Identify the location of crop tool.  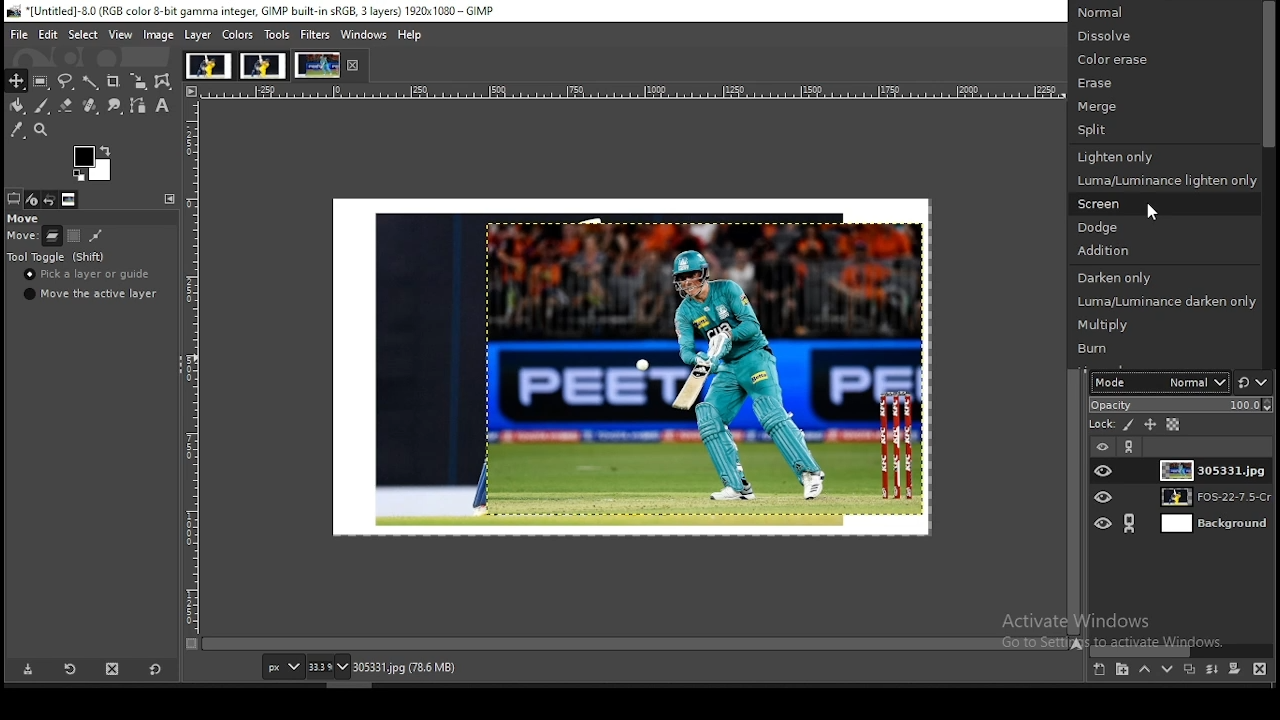
(114, 82).